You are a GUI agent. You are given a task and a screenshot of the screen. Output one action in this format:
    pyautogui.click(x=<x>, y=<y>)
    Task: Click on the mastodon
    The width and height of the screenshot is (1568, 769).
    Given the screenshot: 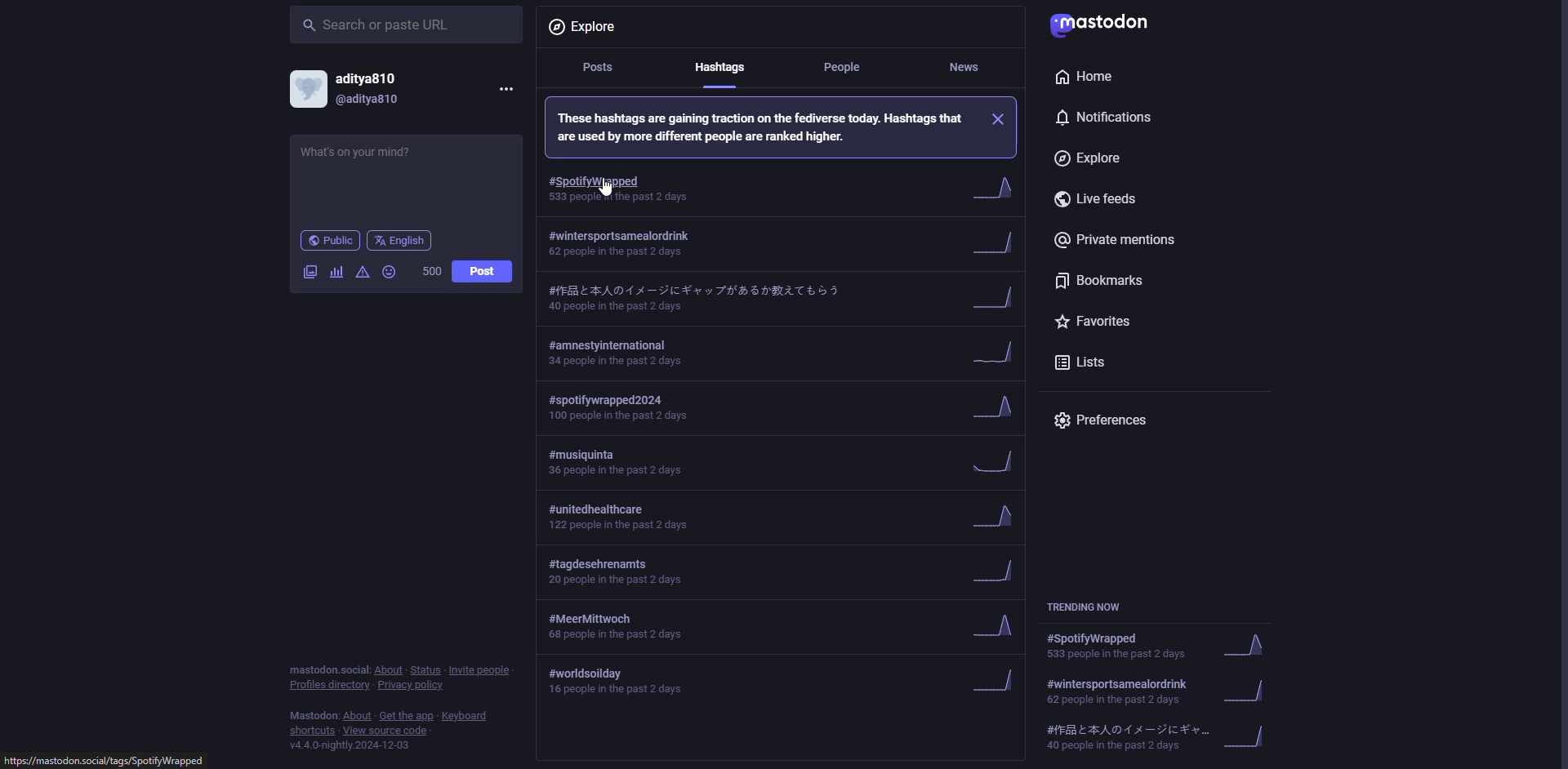 What is the action you would take?
    pyautogui.click(x=1108, y=24)
    